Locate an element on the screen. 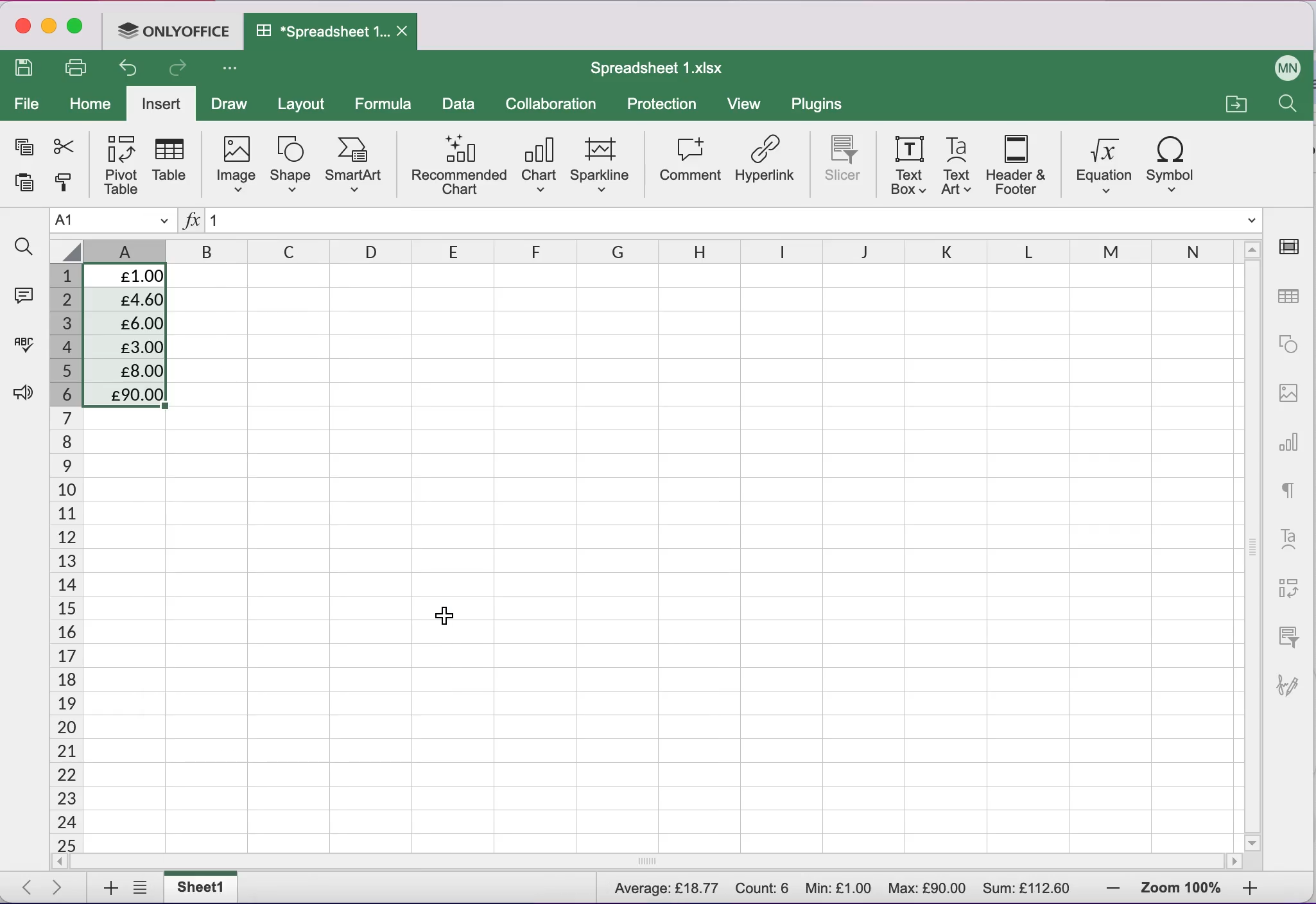 This screenshot has width=1316, height=904. Average: £18.766667 is located at coordinates (662, 887).